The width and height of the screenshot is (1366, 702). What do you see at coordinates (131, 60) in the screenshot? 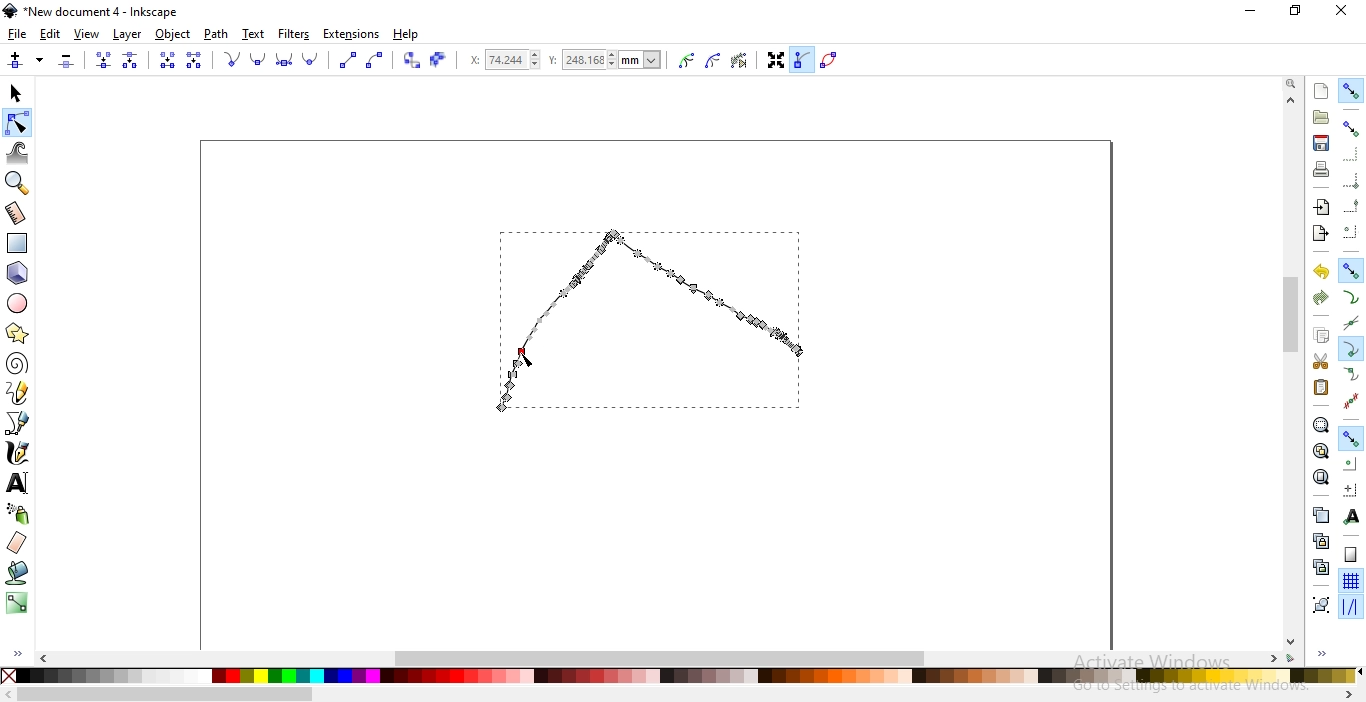
I see `break at selected nodes` at bounding box center [131, 60].